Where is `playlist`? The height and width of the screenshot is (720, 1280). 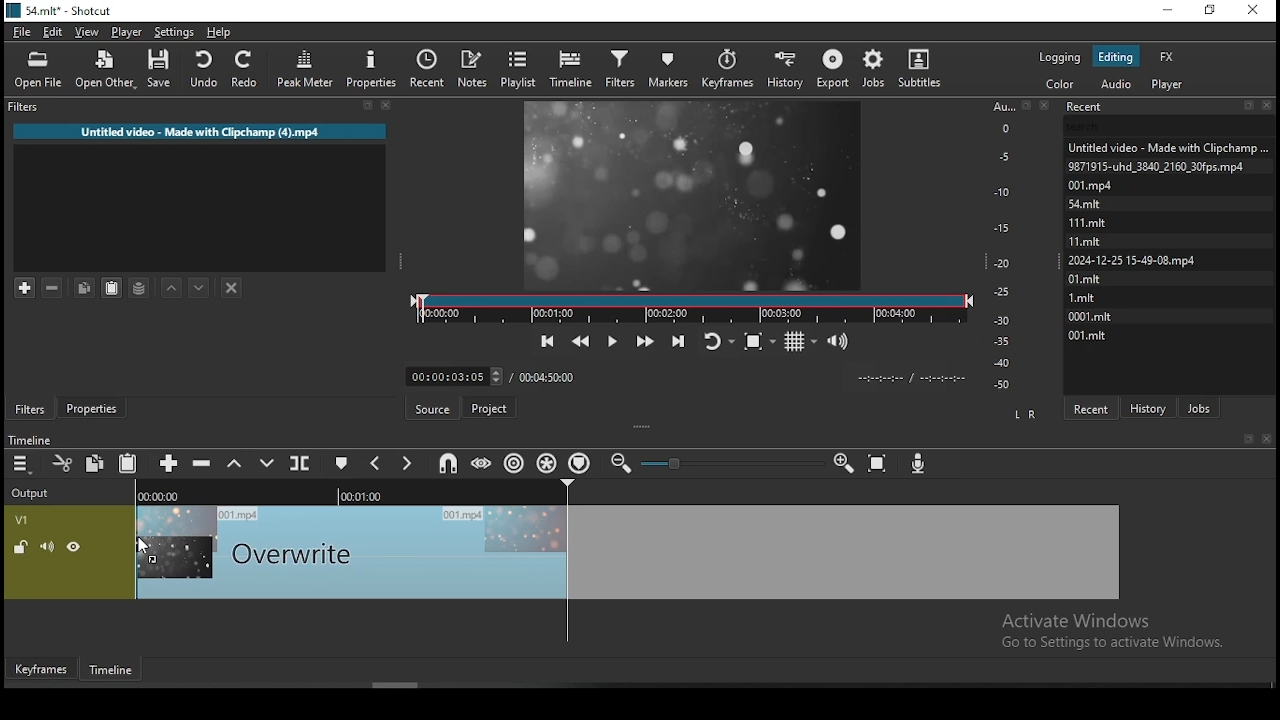
playlist is located at coordinates (518, 70).